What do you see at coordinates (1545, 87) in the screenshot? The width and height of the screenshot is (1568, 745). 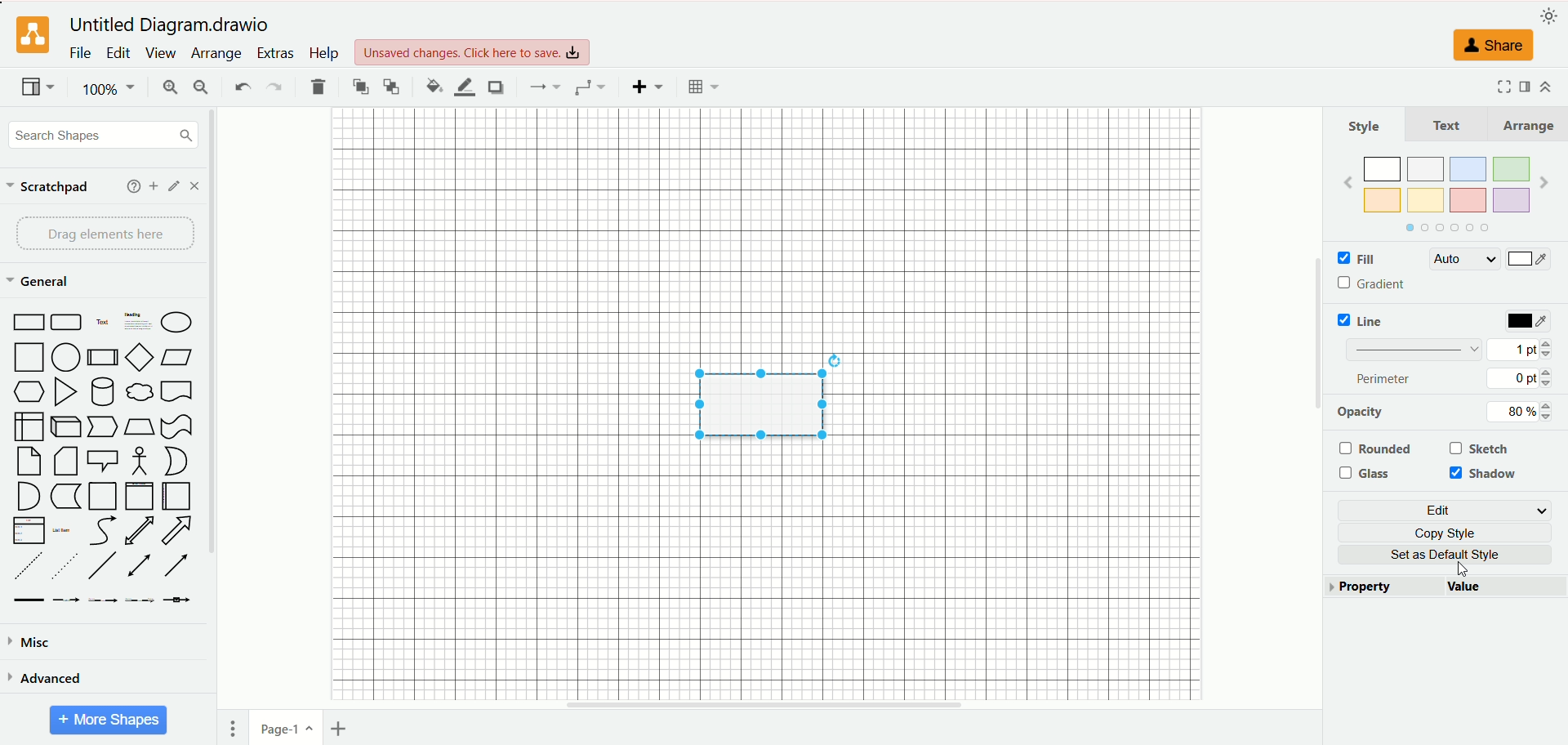 I see `collapse/expand` at bounding box center [1545, 87].